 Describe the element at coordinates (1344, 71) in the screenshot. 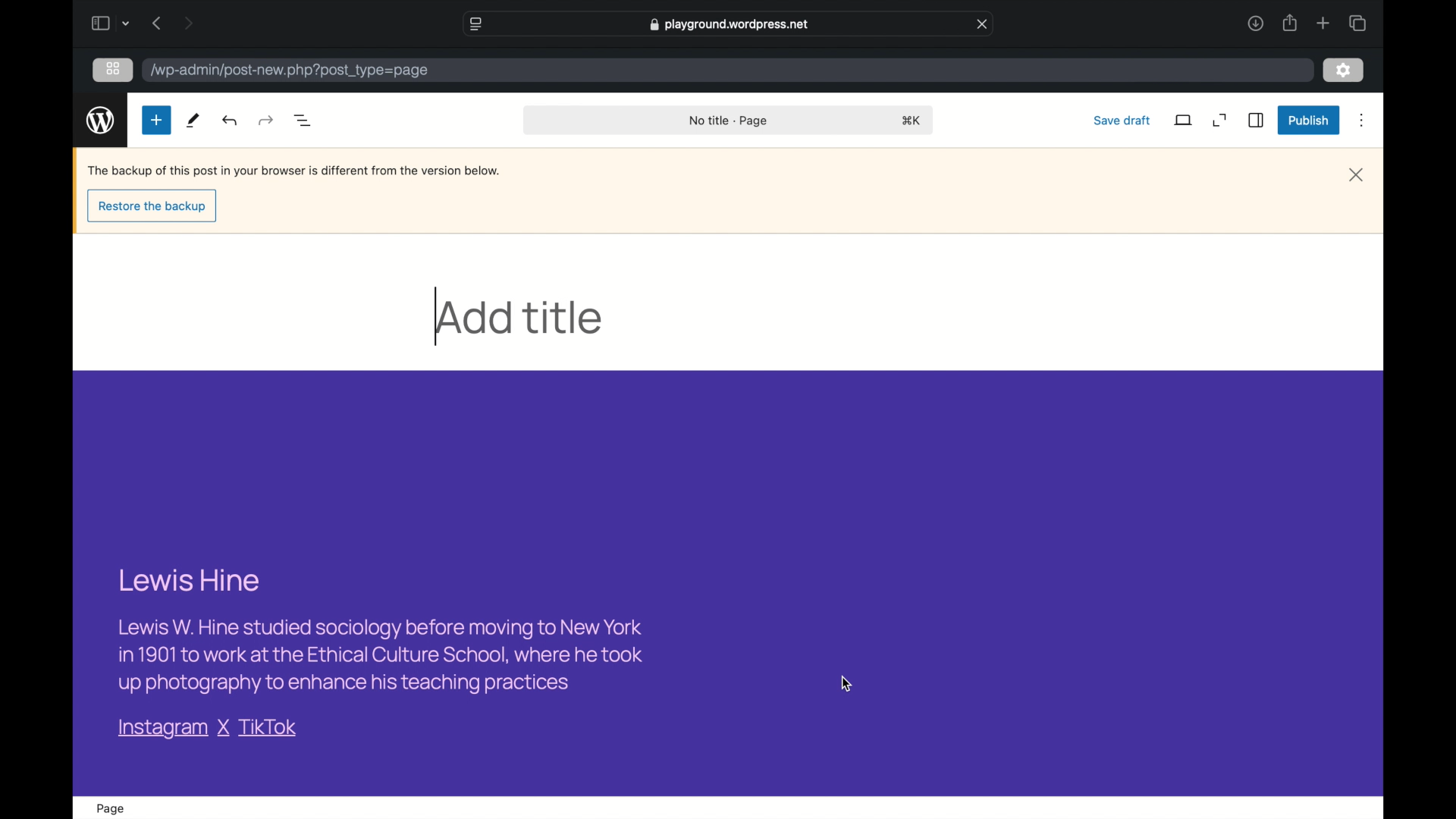

I see `settings` at that location.